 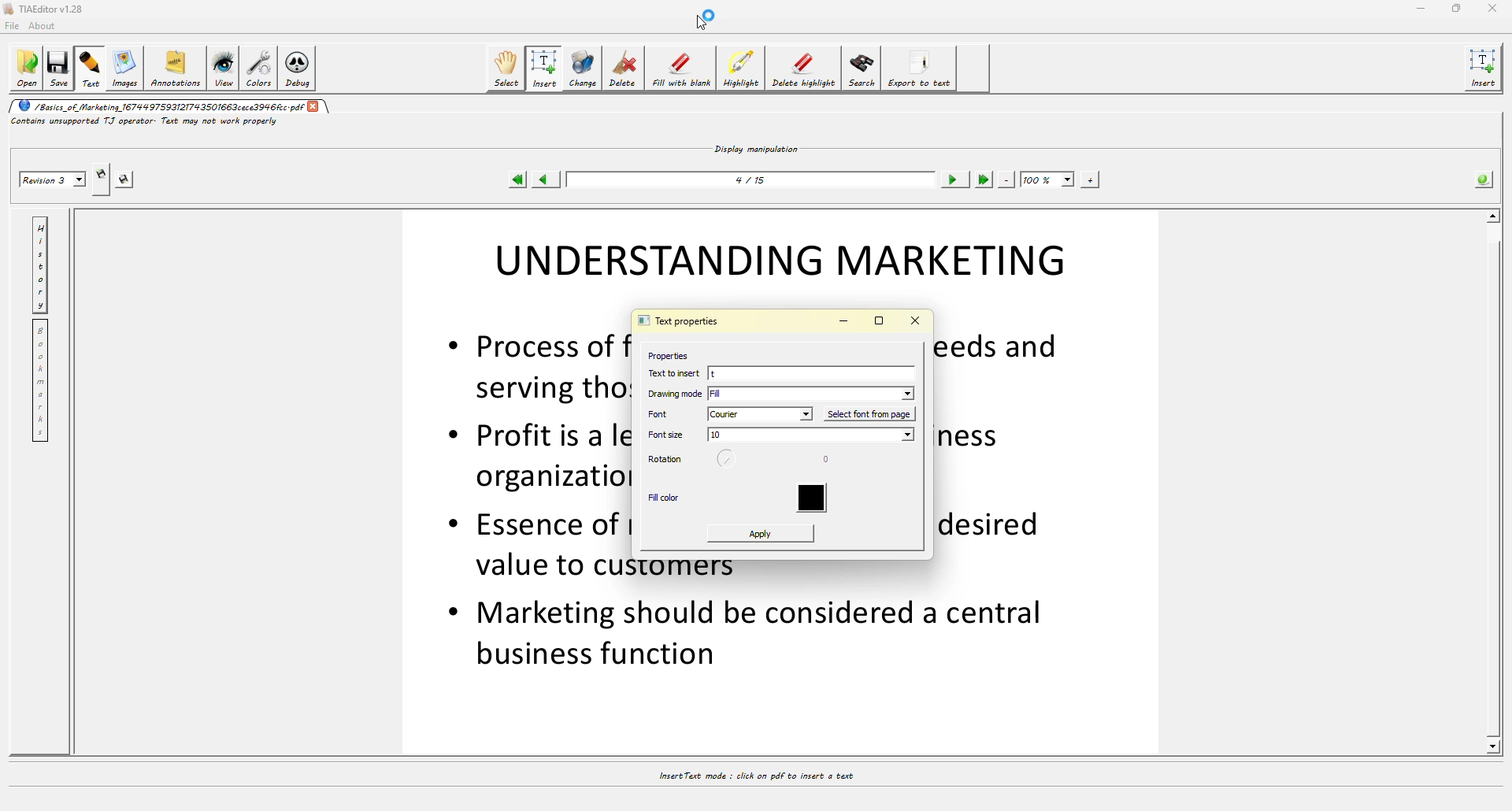 What do you see at coordinates (805, 69) in the screenshot?
I see `delete highlight` at bounding box center [805, 69].